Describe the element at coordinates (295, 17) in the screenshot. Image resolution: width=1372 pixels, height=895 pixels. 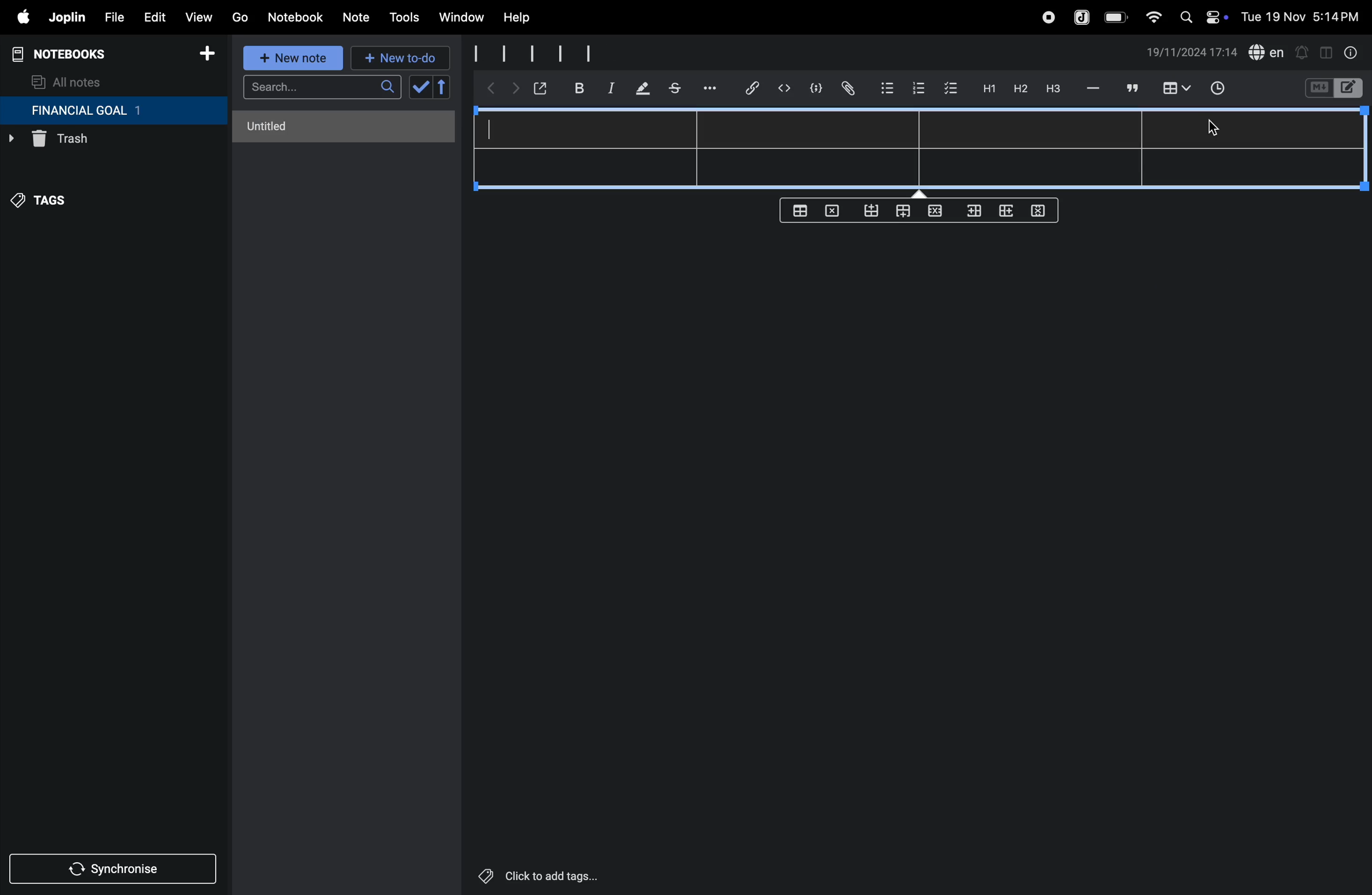
I see `notebook` at that location.